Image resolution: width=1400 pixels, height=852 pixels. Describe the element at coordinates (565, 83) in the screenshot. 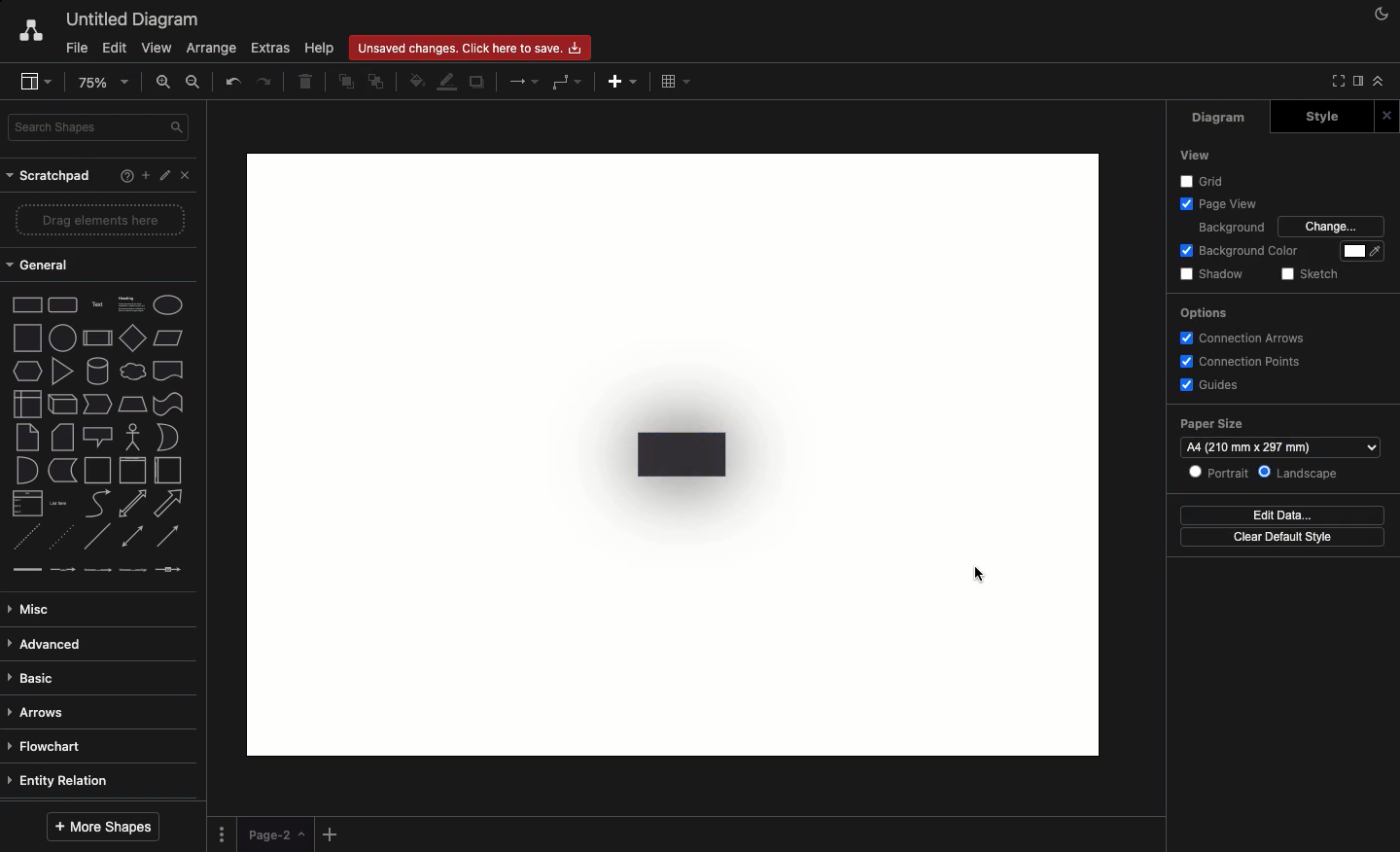

I see `Waypoints` at that location.